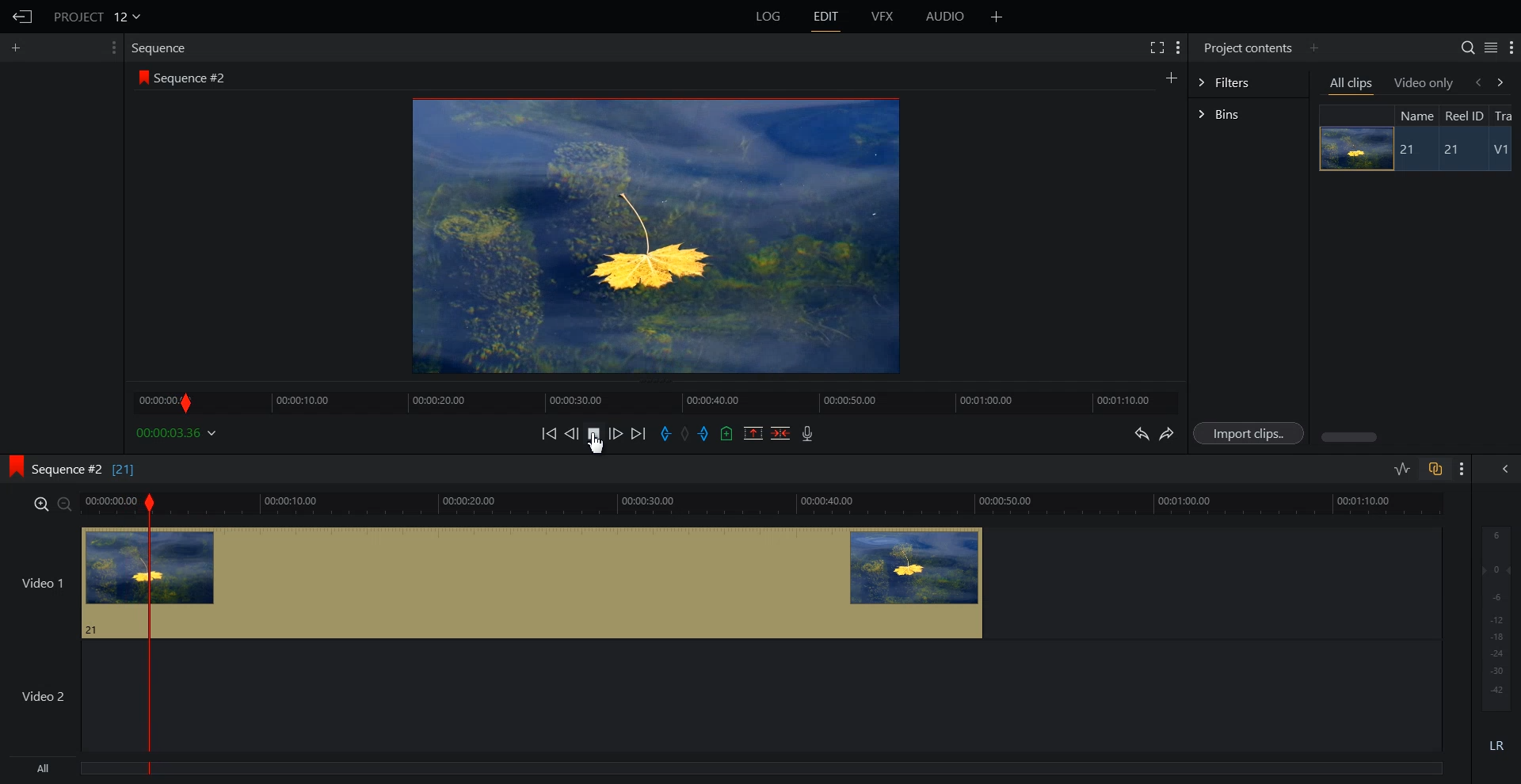 The width and height of the screenshot is (1521, 784). I want to click on Timeline, so click(655, 398).